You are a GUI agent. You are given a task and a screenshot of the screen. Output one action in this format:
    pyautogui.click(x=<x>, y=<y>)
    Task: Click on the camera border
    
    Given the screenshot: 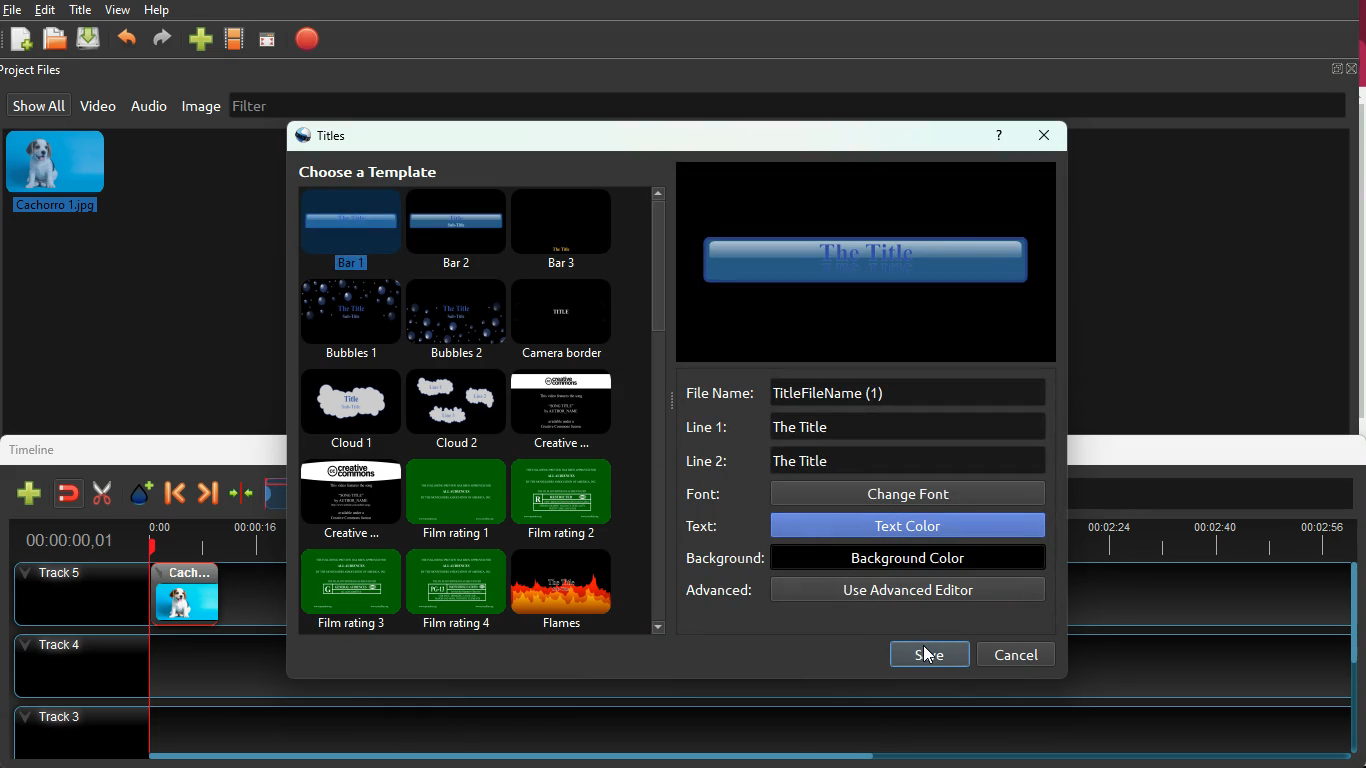 What is the action you would take?
    pyautogui.click(x=561, y=321)
    